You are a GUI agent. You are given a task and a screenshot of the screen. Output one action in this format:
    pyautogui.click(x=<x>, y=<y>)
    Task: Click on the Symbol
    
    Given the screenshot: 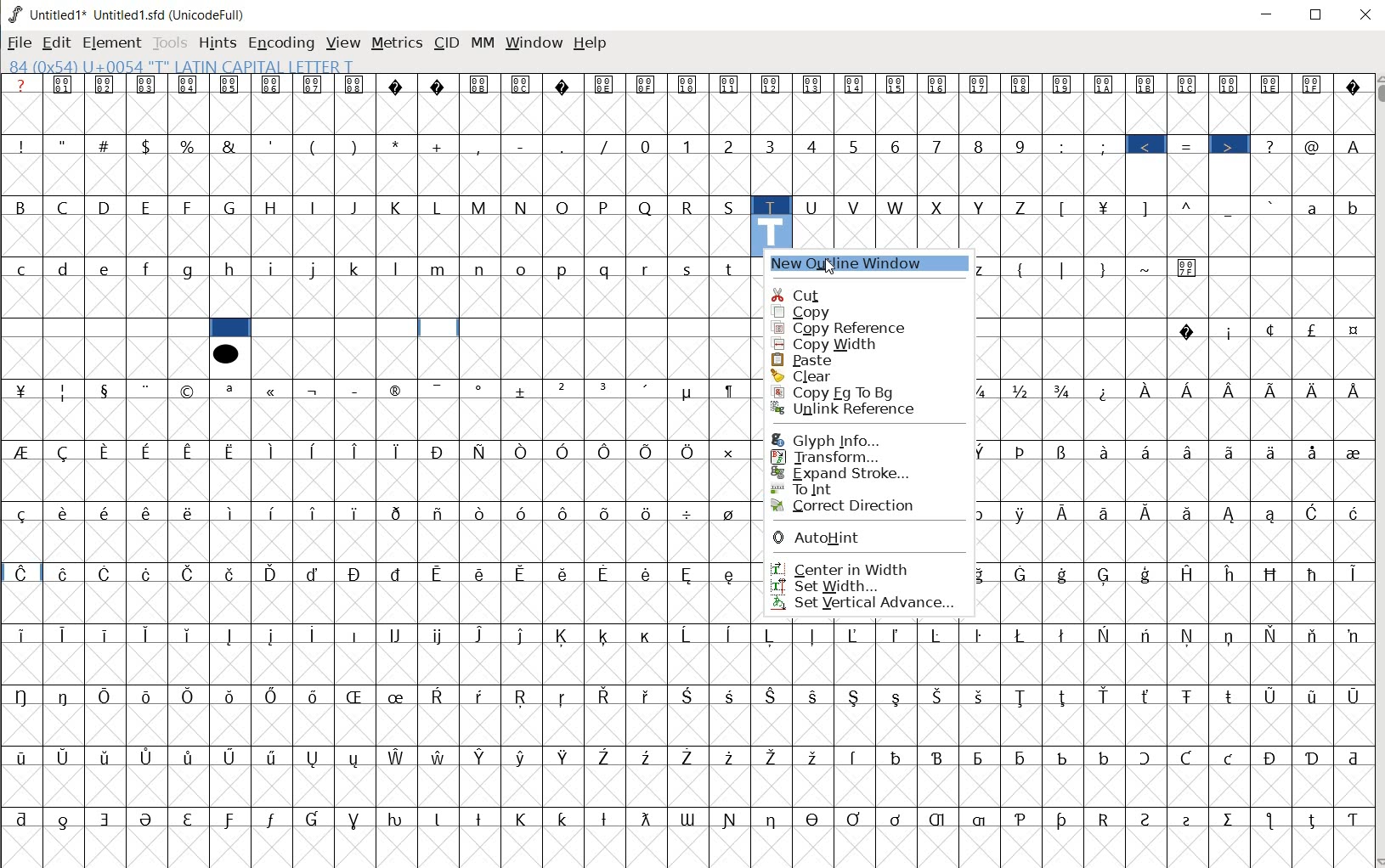 What is the action you would take?
    pyautogui.click(x=1231, y=84)
    